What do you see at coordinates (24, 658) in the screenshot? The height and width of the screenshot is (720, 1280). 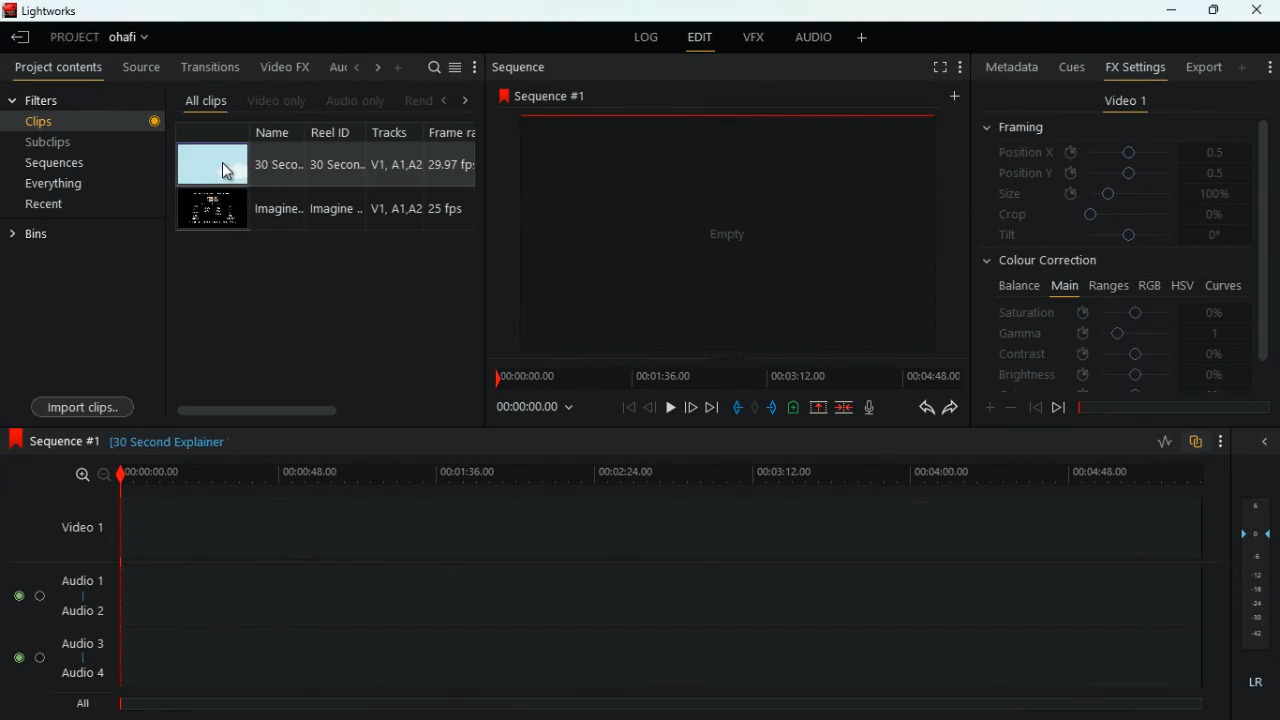 I see `Audio` at bounding box center [24, 658].